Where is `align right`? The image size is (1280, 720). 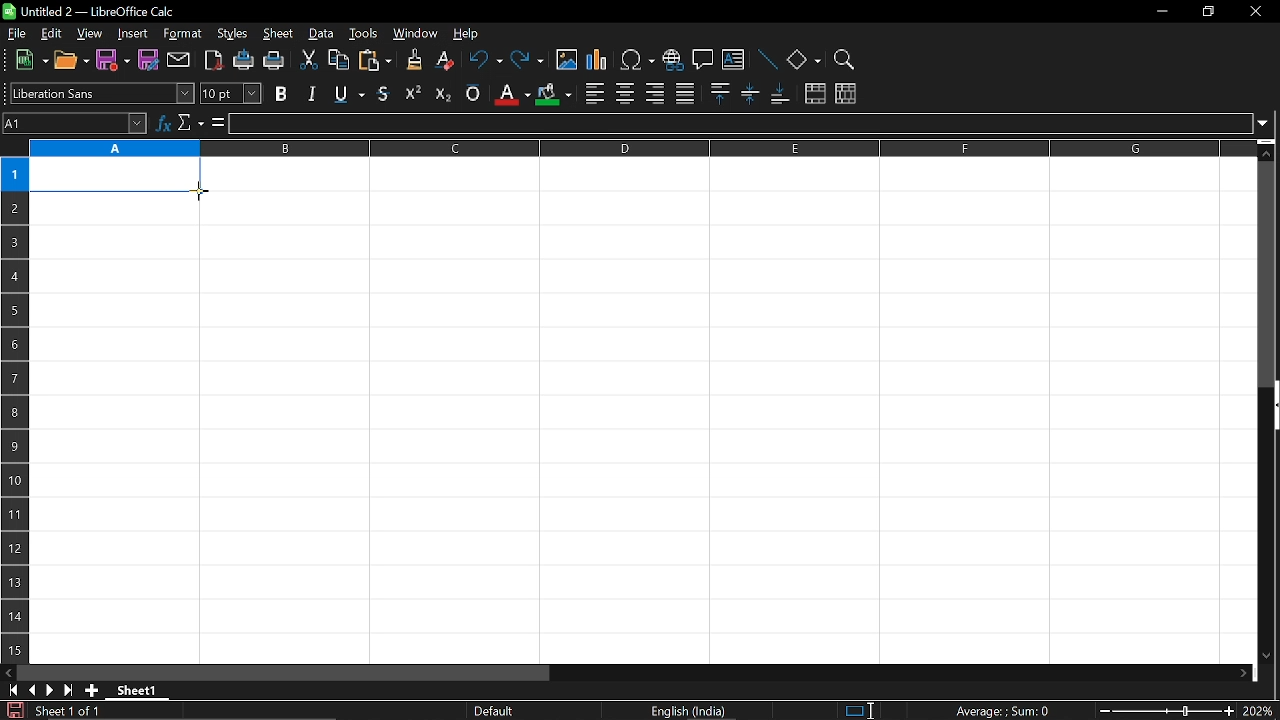 align right is located at coordinates (654, 94).